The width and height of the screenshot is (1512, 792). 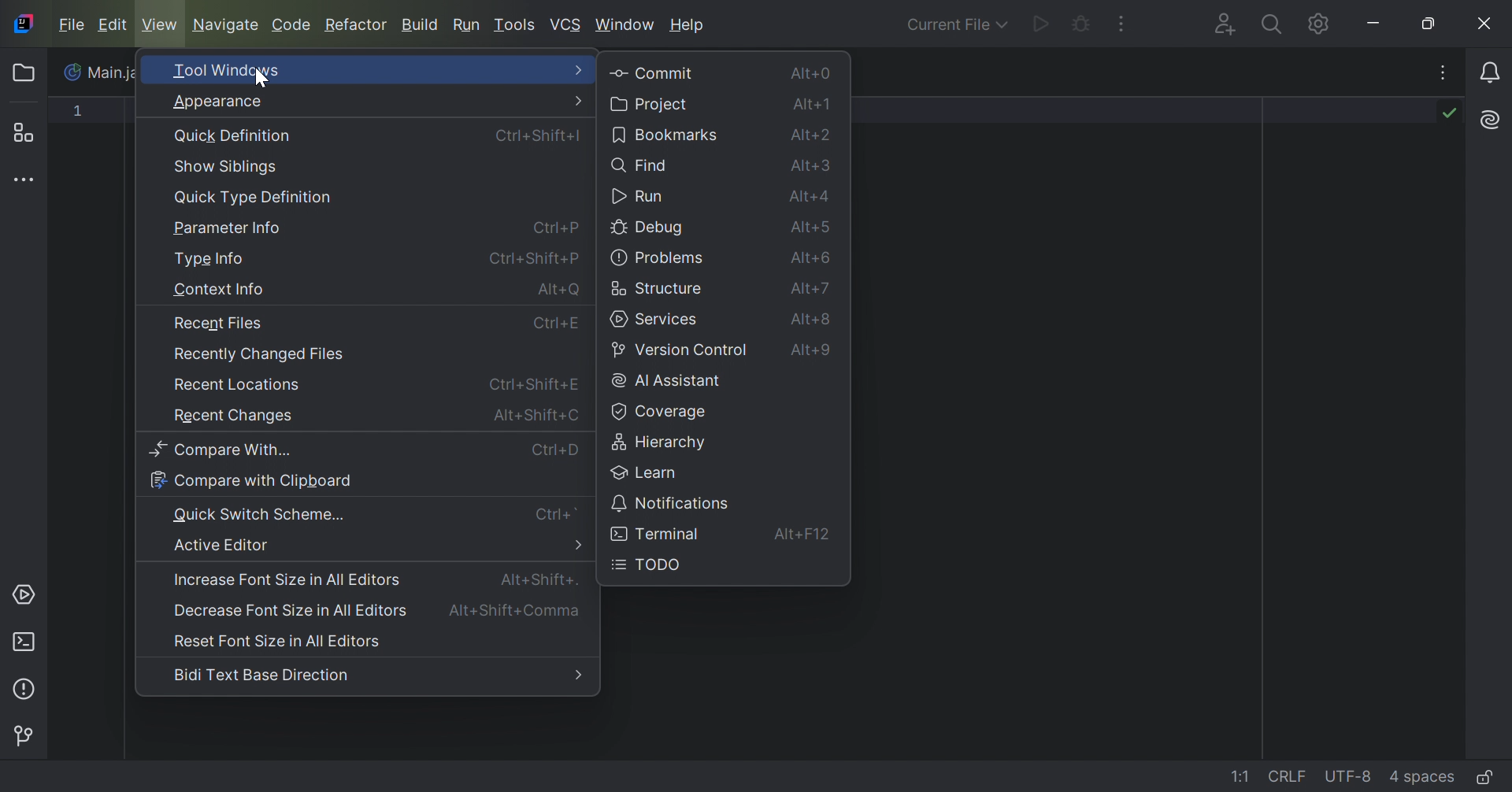 What do you see at coordinates (1223, 25) in the screenshot?
I see `Code with me` at bounding box center [1223, 25].